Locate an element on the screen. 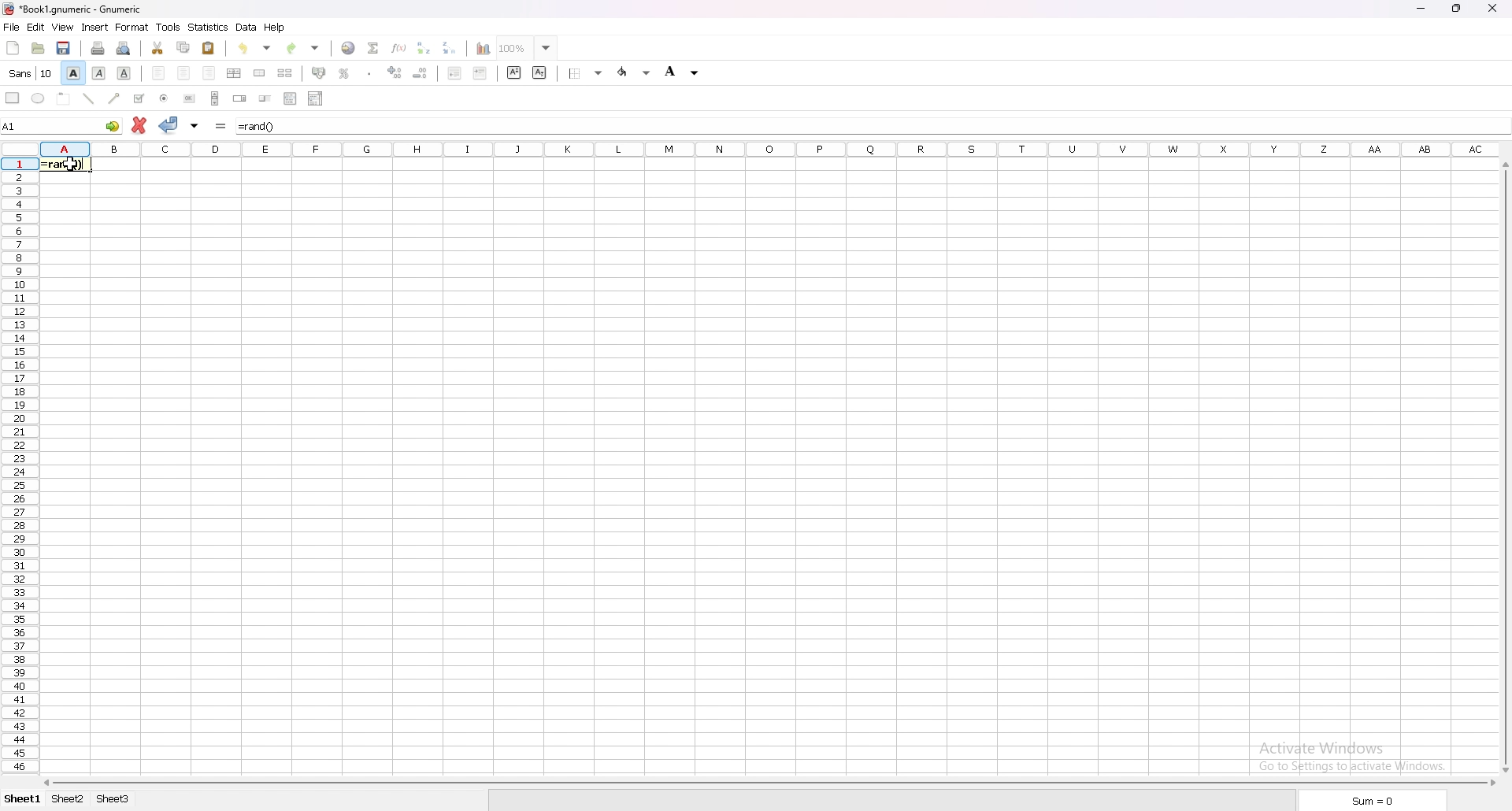  cursor is located at coordinates (72, 165).